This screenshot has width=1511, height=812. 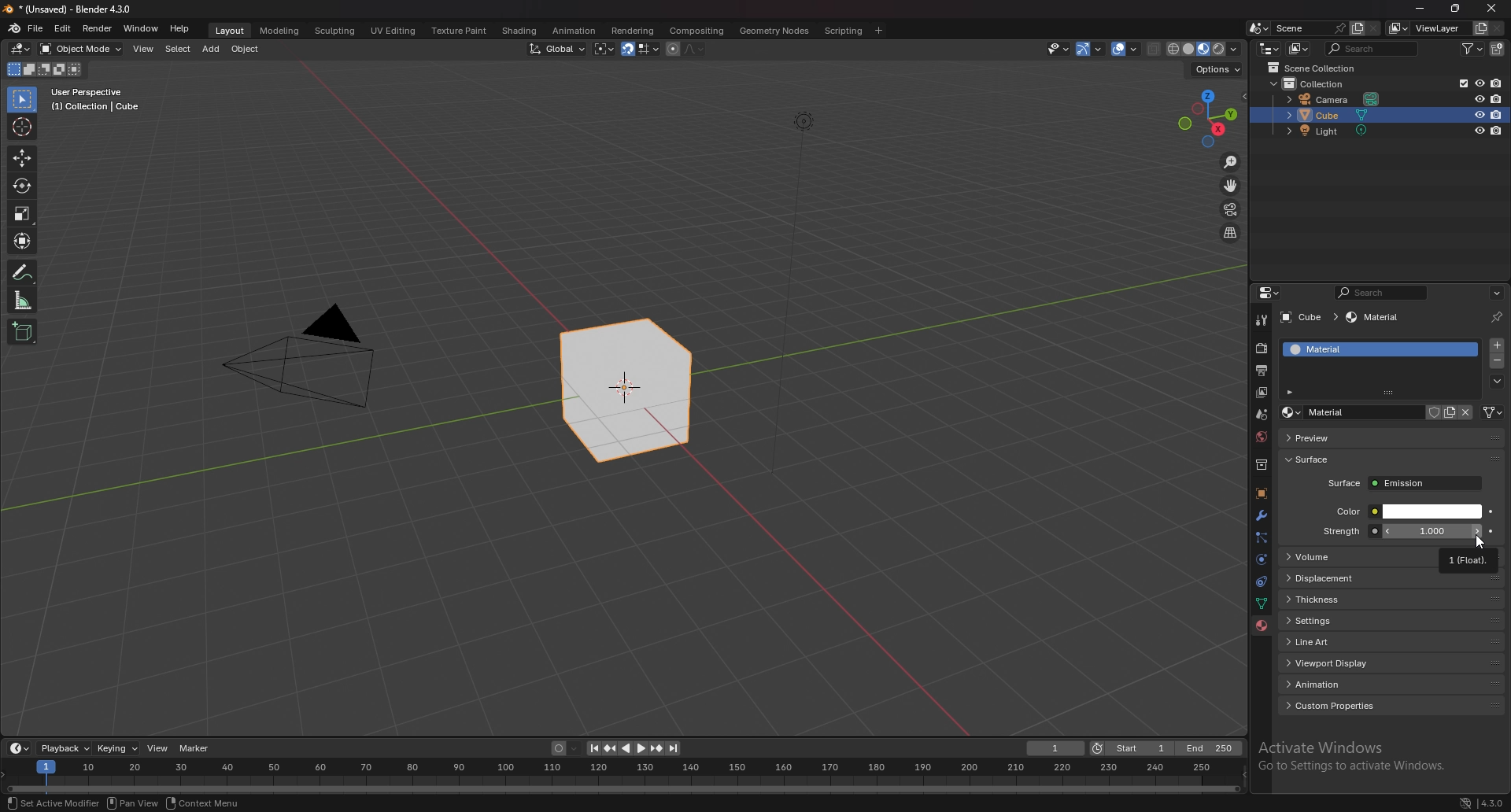 I want to click on animate property, so click(x=1491, y=511).